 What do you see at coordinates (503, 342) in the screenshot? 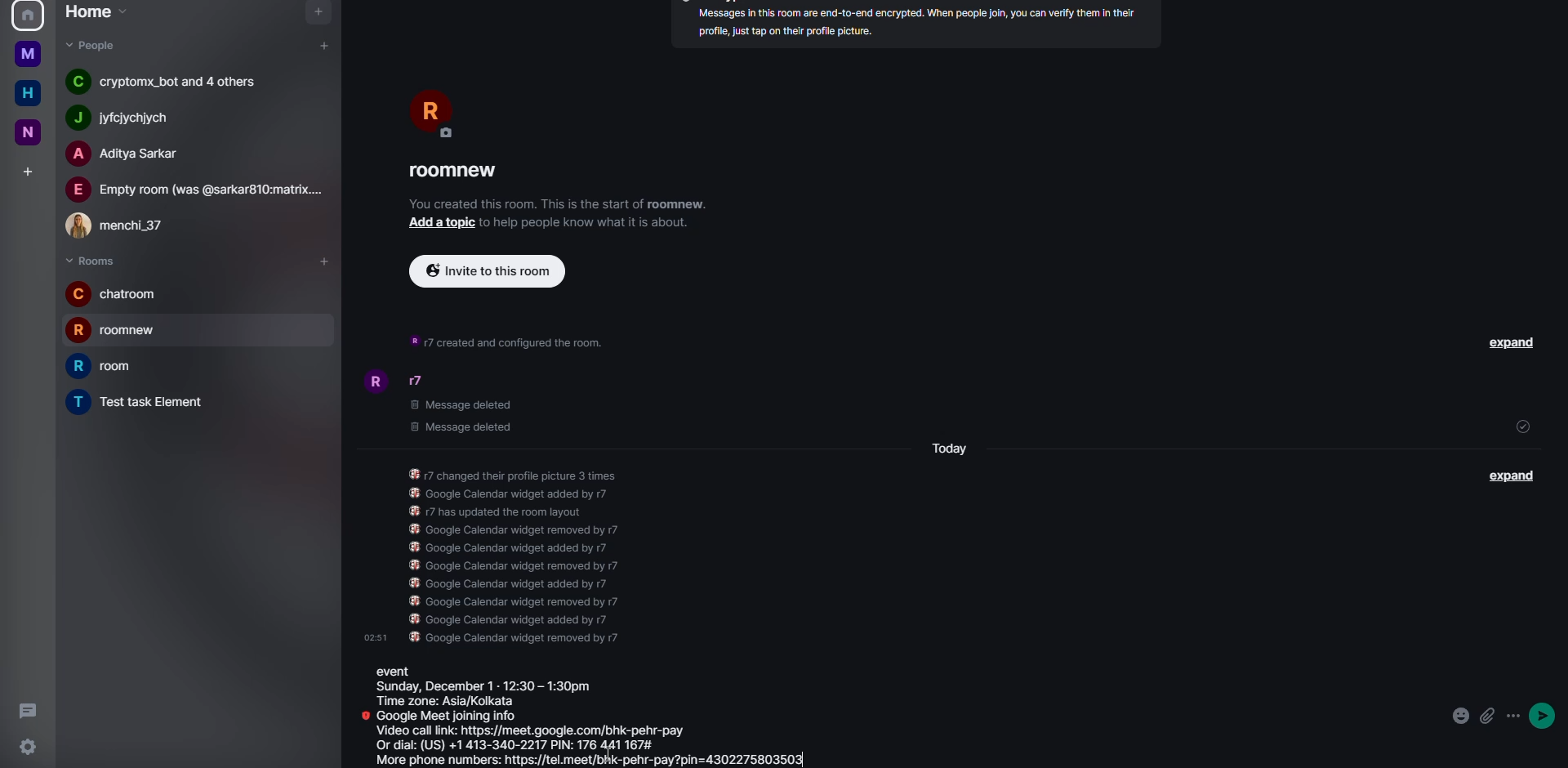
I see `info` at bounding box center [503, 342].